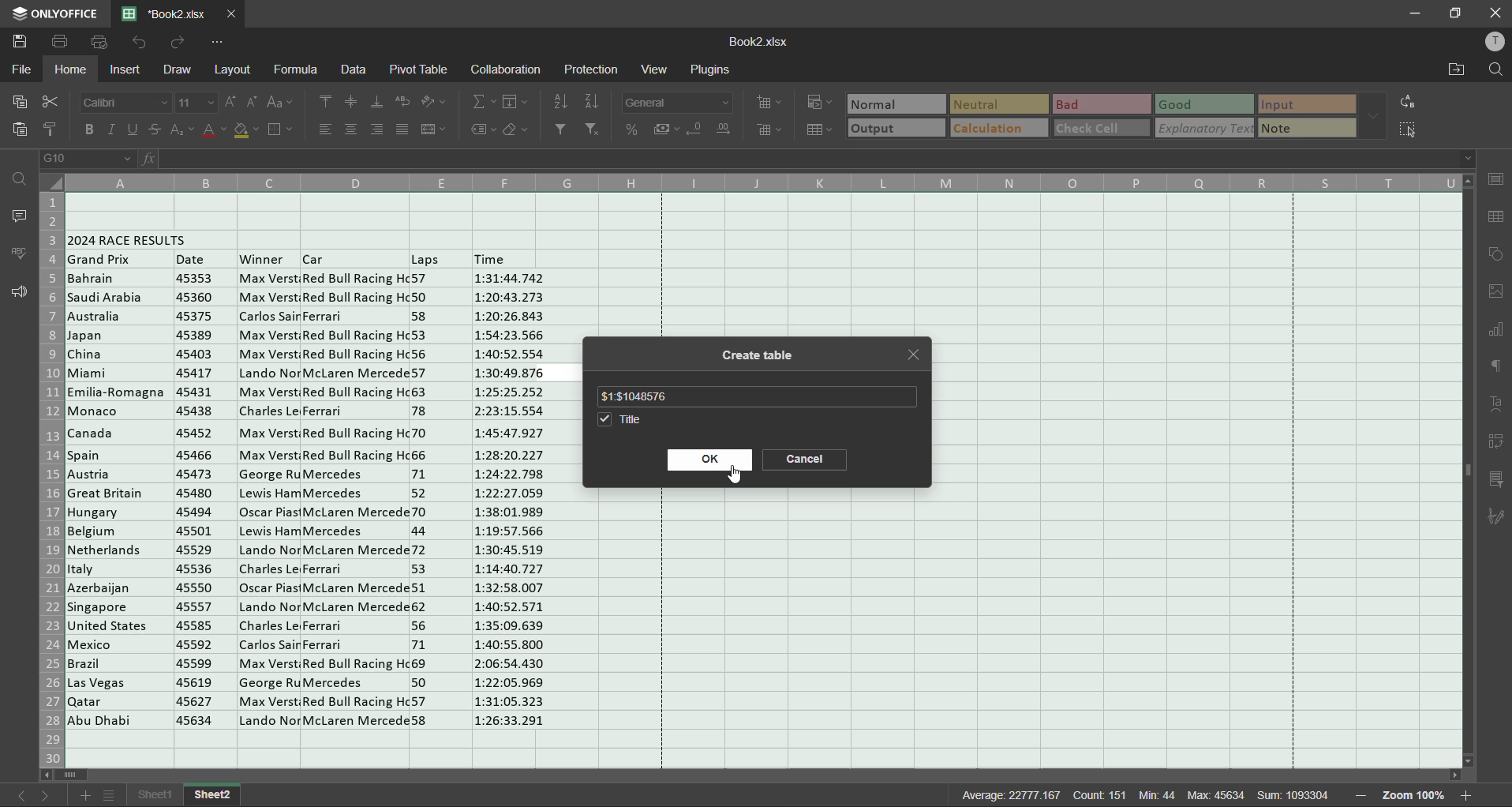 This screenshot has width=1512, height=807. I want to click on calculation, so click(999, 129).